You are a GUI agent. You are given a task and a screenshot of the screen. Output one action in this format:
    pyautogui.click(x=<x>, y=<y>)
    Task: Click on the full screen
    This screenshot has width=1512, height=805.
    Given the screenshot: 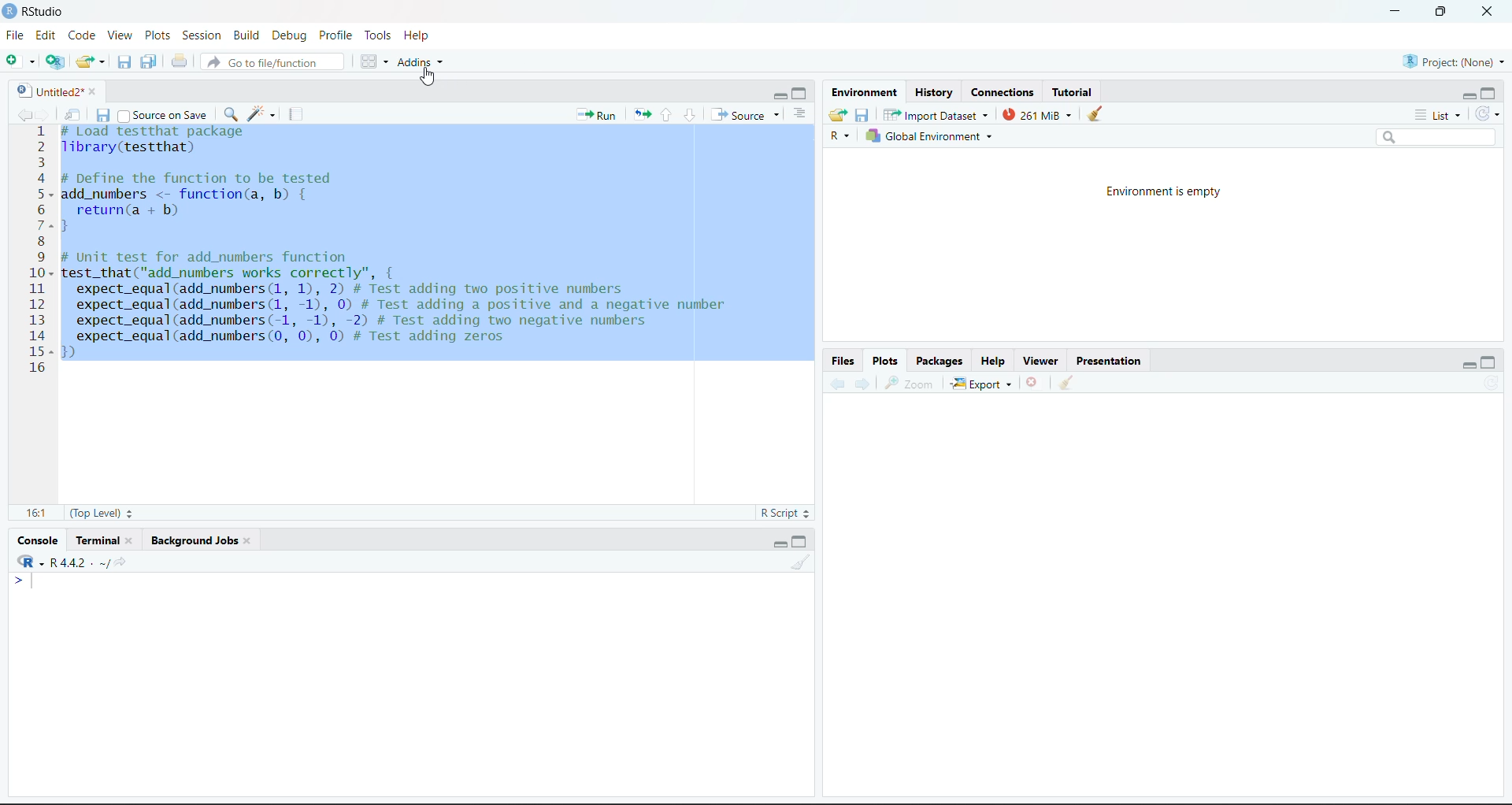 What is the action you would take?
    pyautogui.click(x=1441, y=13)
    